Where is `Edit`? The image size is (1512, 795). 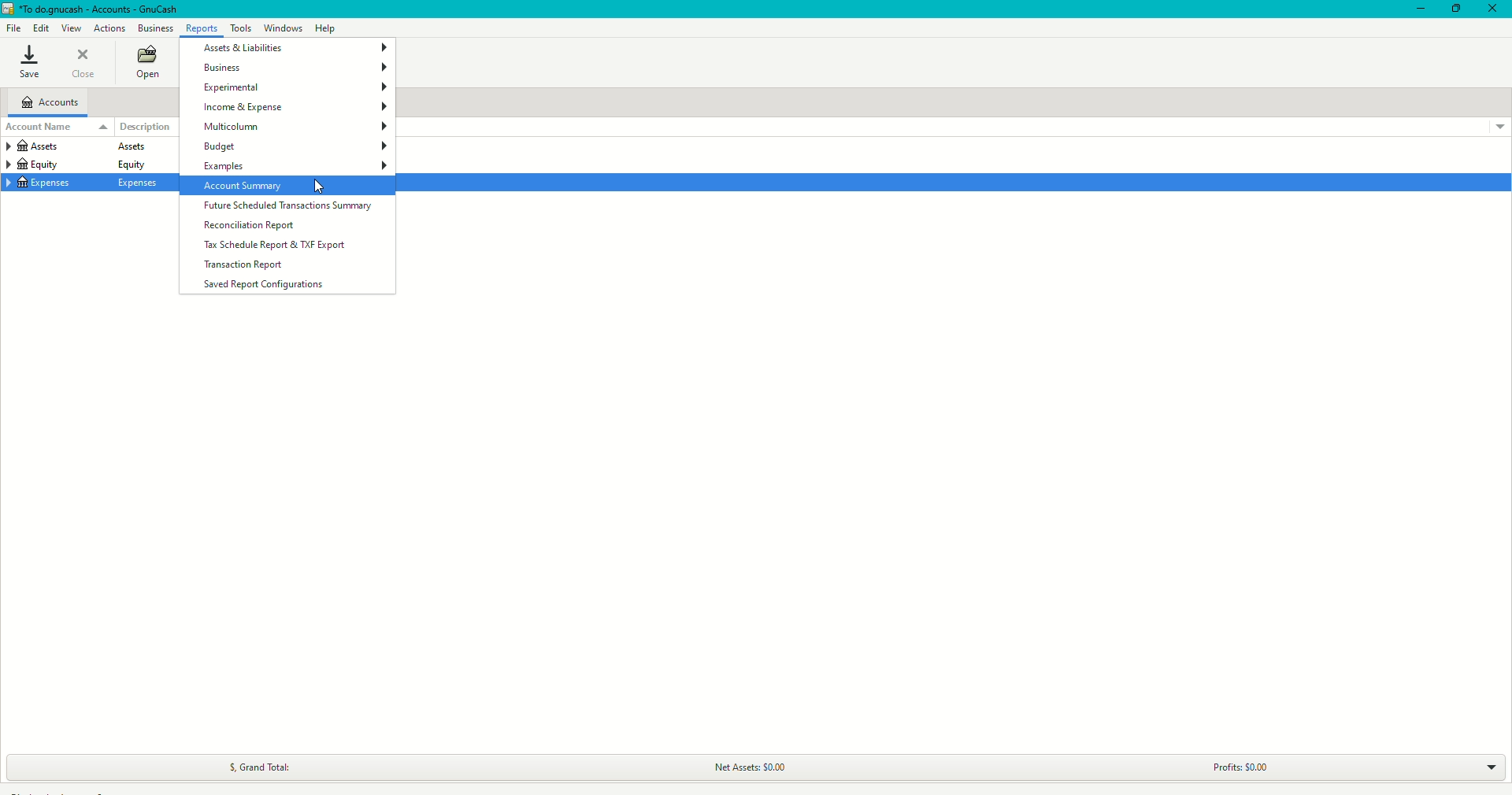
Edit is located at coordinates (43, 28).